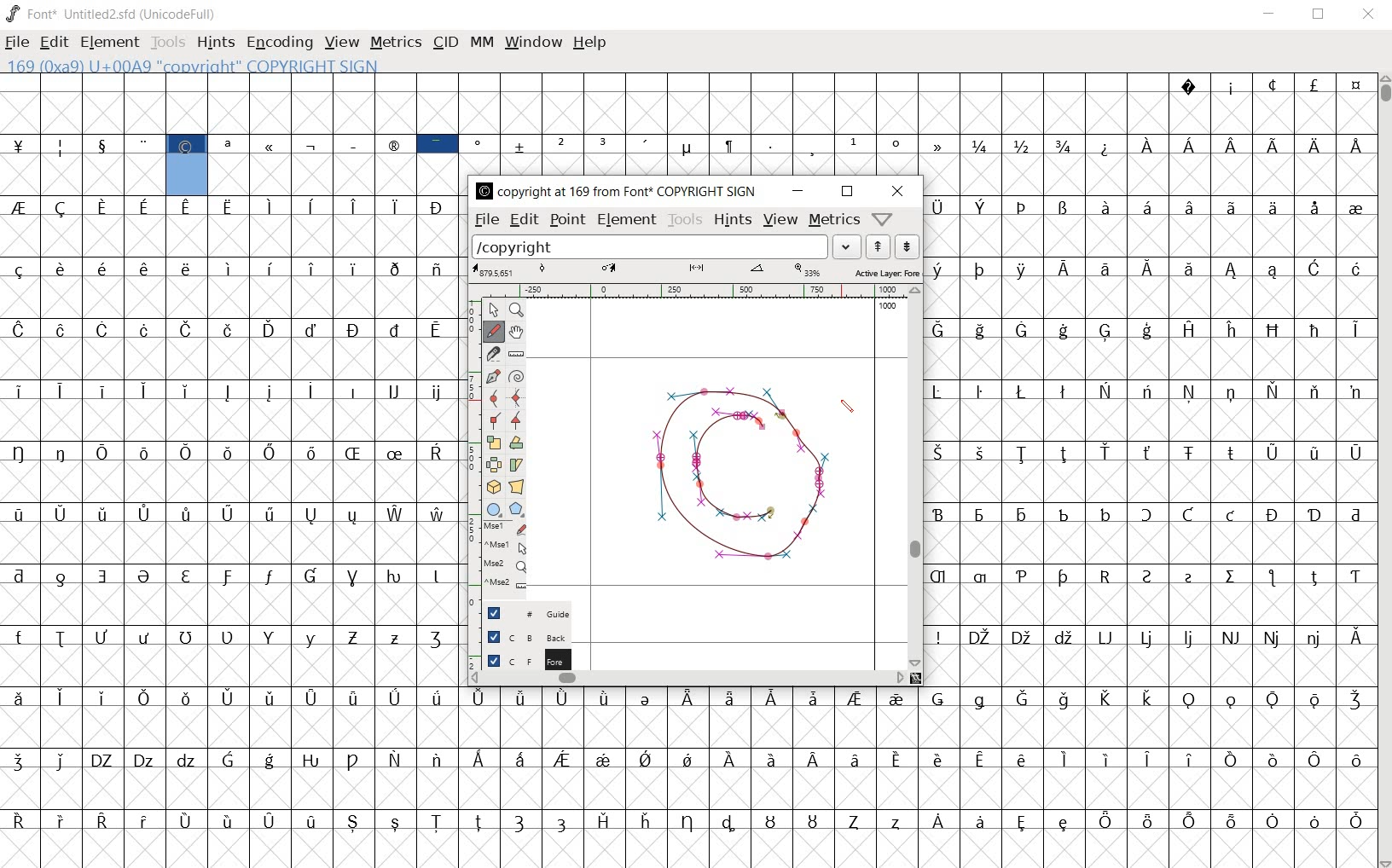 Image resolution: width=1392 pixels, height=868 pixels. I want to click on tools, so click(170, 44).